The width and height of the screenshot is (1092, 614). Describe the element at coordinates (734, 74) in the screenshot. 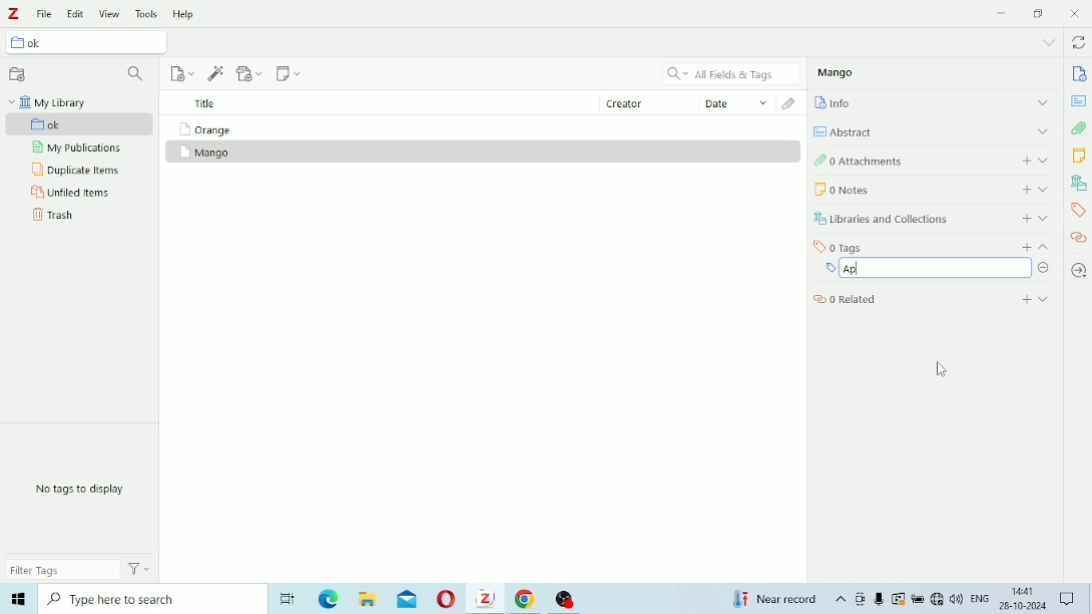

I see `All Fields & Tags` at that location.